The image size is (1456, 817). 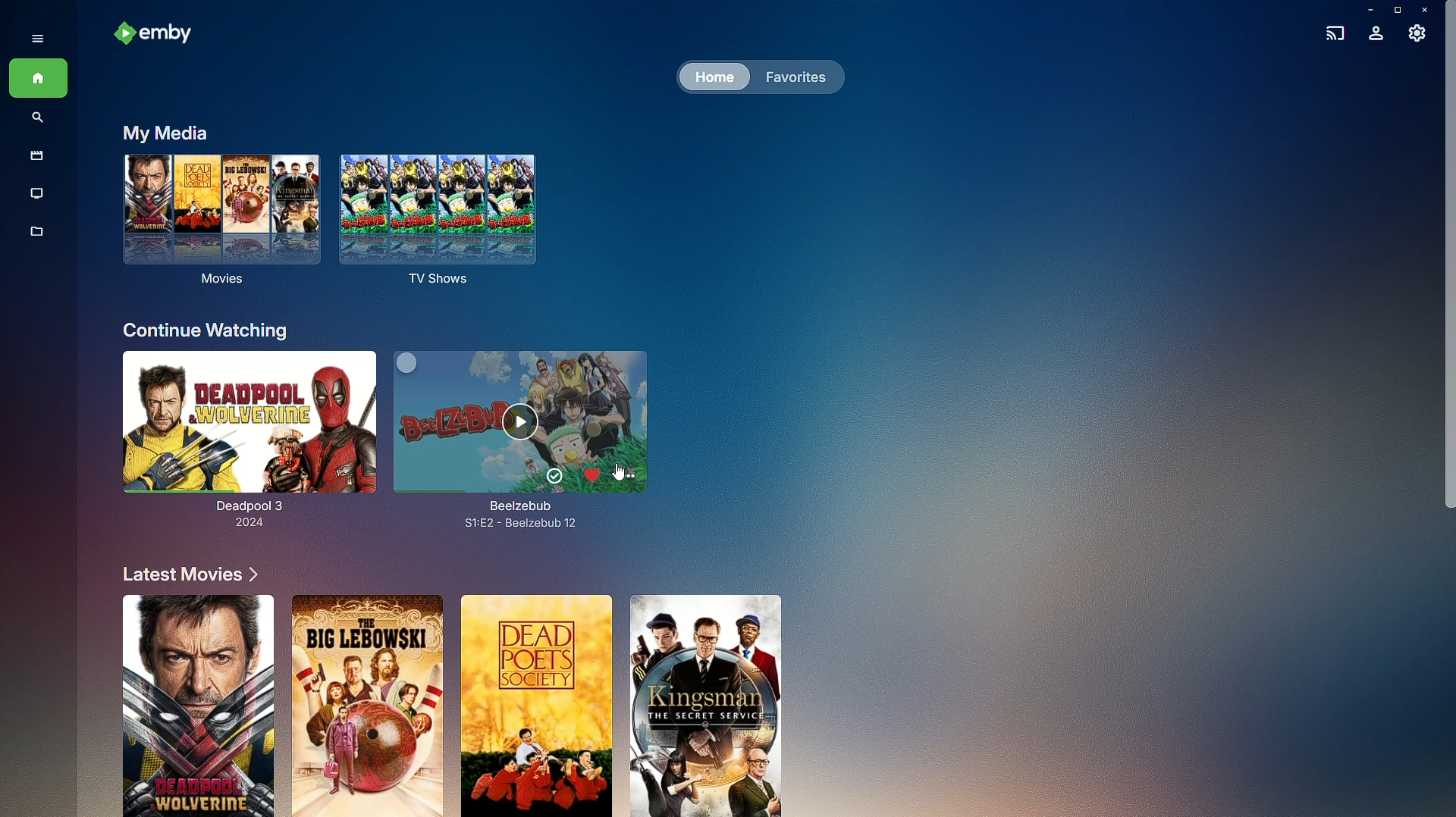 I want to click on , so click(x=620, y=471).